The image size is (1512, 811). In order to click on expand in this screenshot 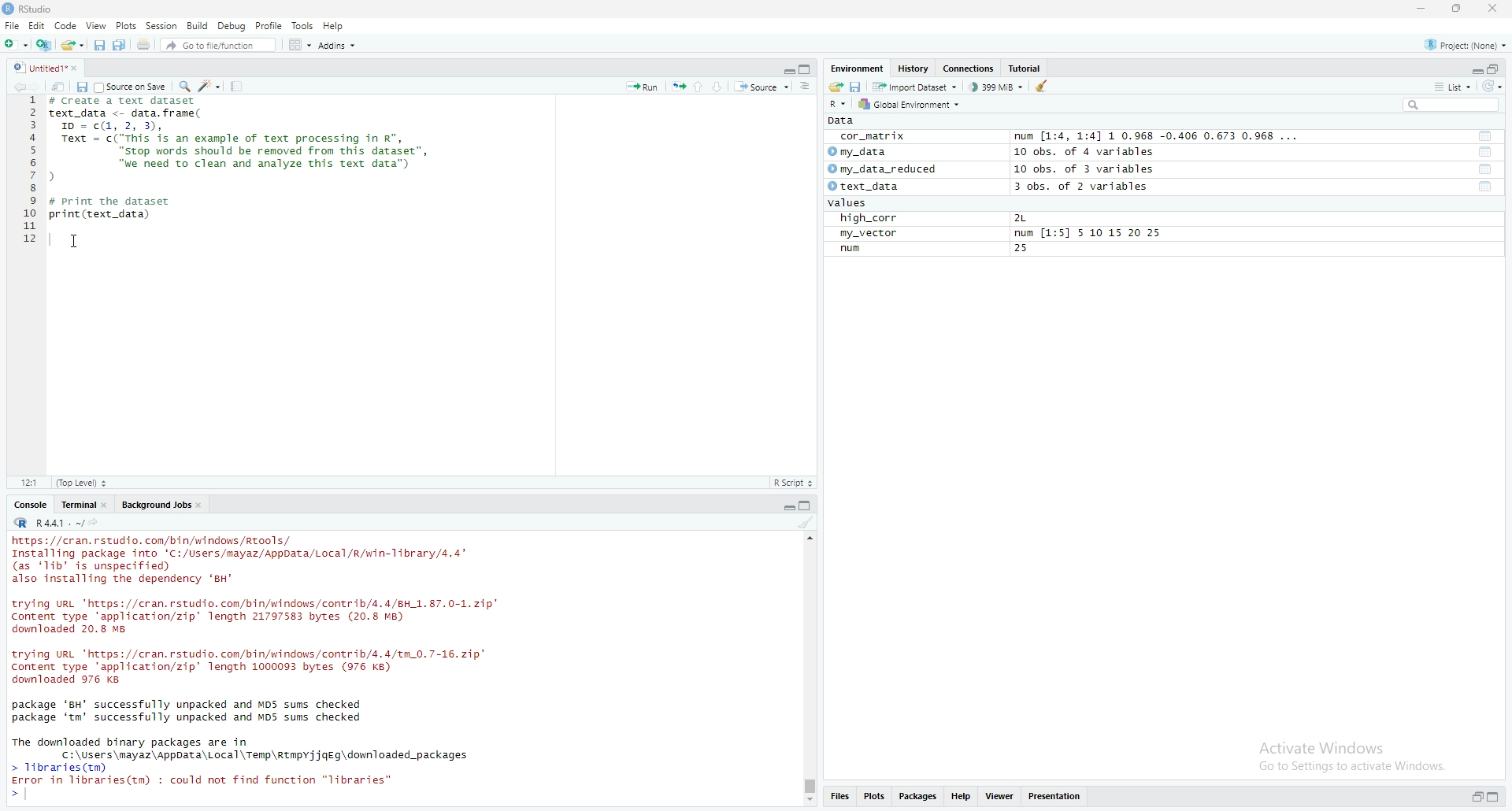, I will do `click(1475, 69)`.